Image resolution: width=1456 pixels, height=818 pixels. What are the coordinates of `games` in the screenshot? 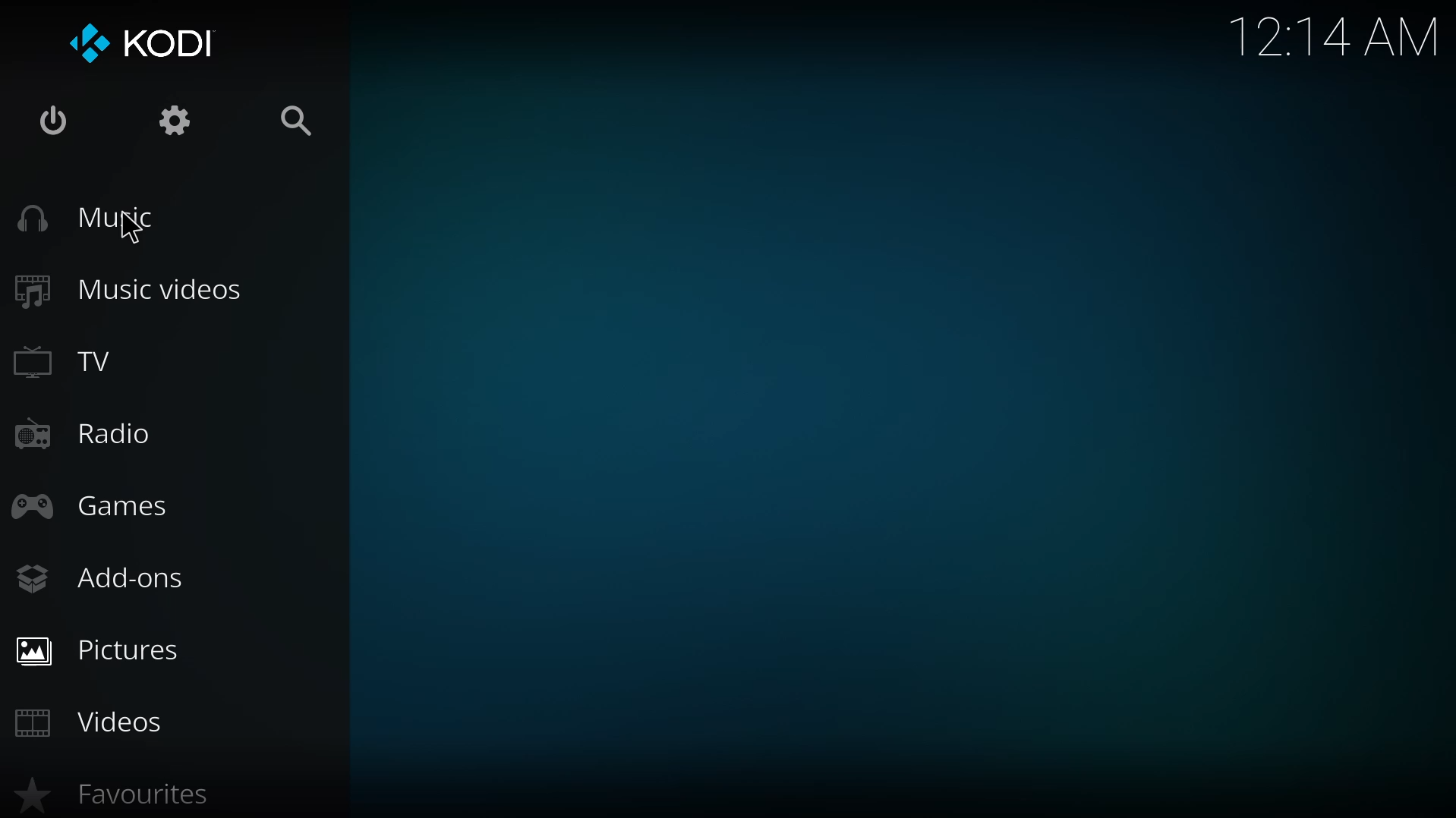 It's located at (99, 504).